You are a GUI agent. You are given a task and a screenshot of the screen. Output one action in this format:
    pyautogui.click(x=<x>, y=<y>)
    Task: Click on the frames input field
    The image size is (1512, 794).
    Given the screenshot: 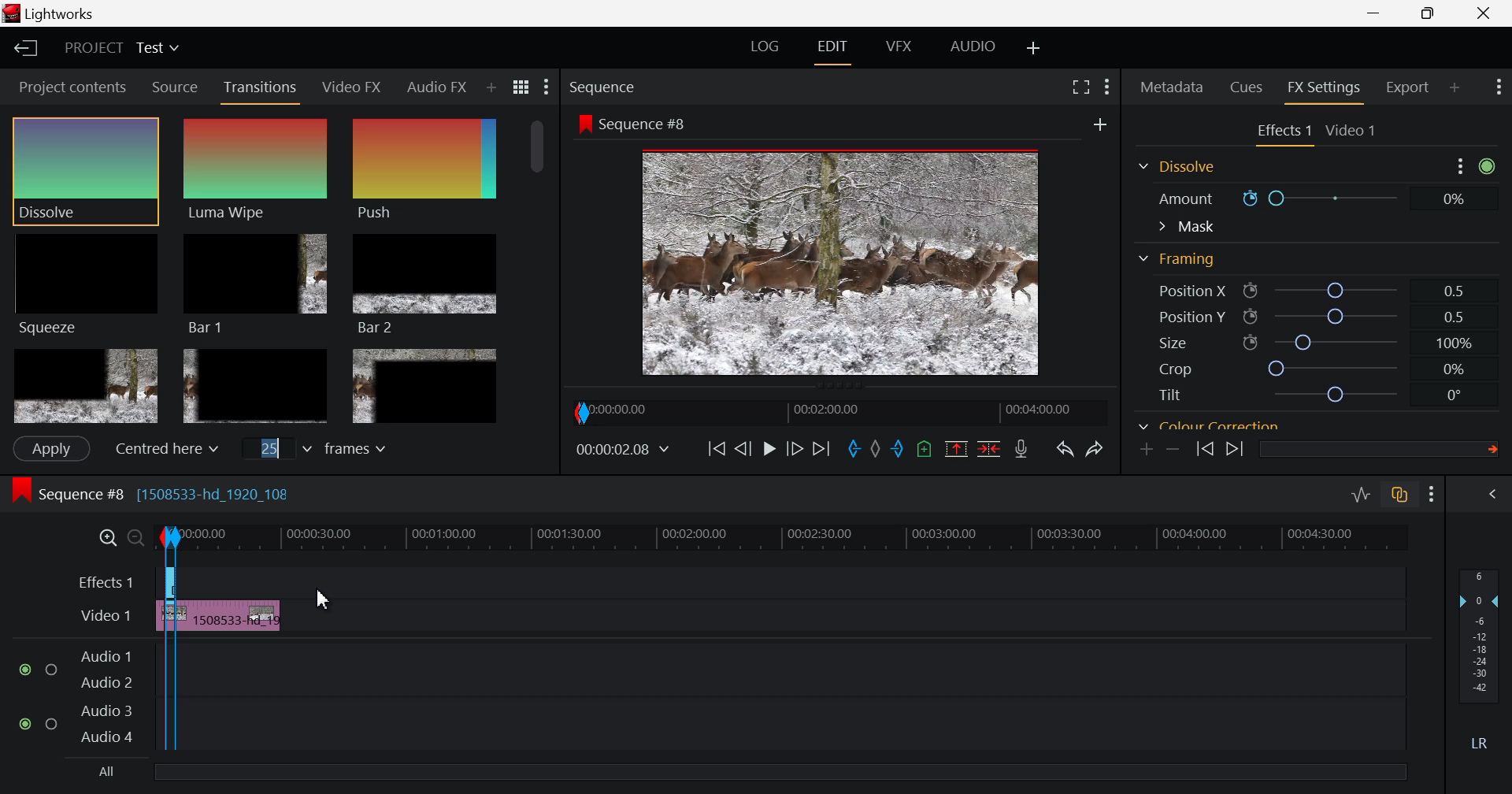 What is the action you would take?
    pyautogui.click(x=329, y=447)
    